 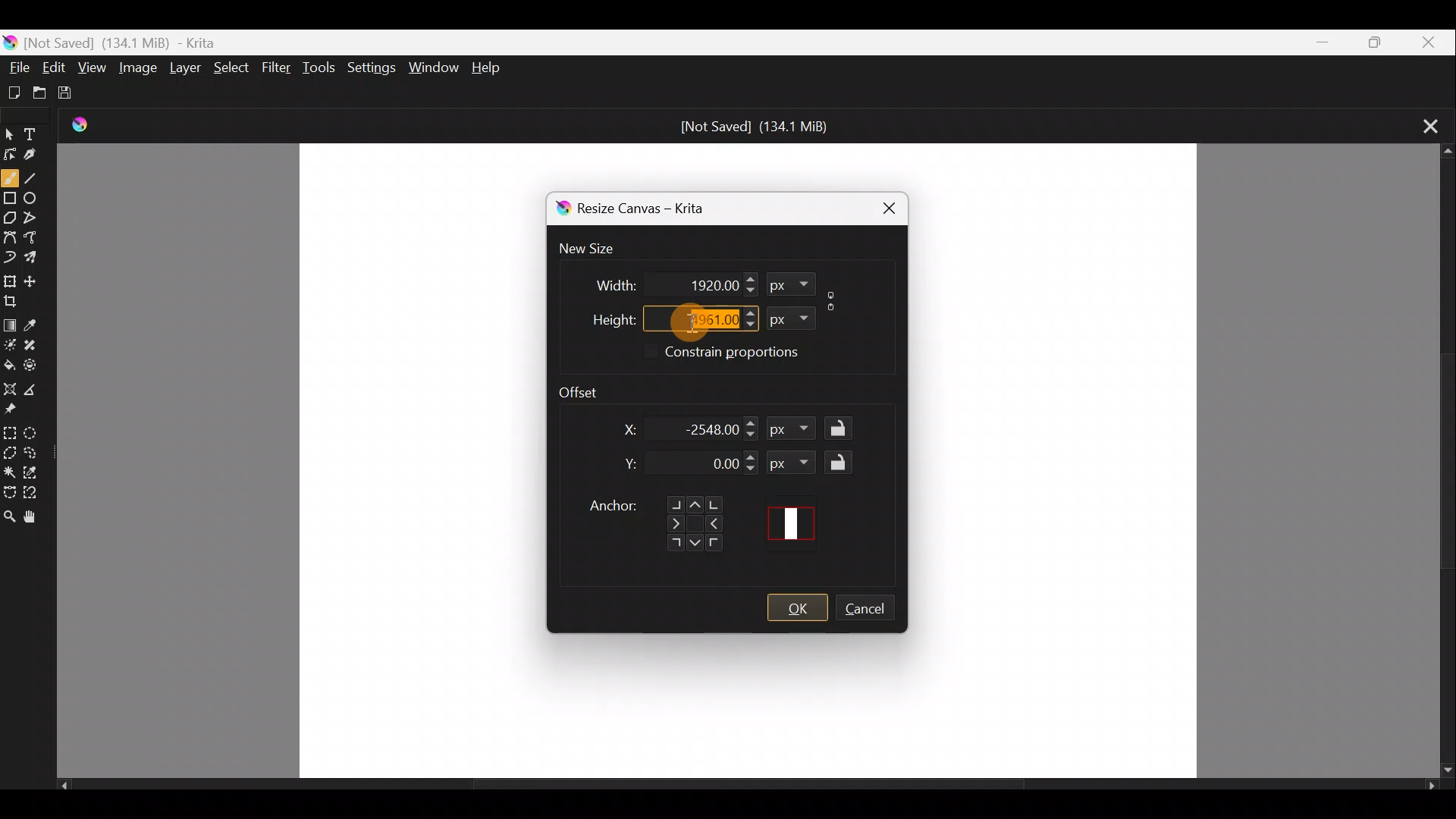 I want to click on Format, so click(x=787, y=316).